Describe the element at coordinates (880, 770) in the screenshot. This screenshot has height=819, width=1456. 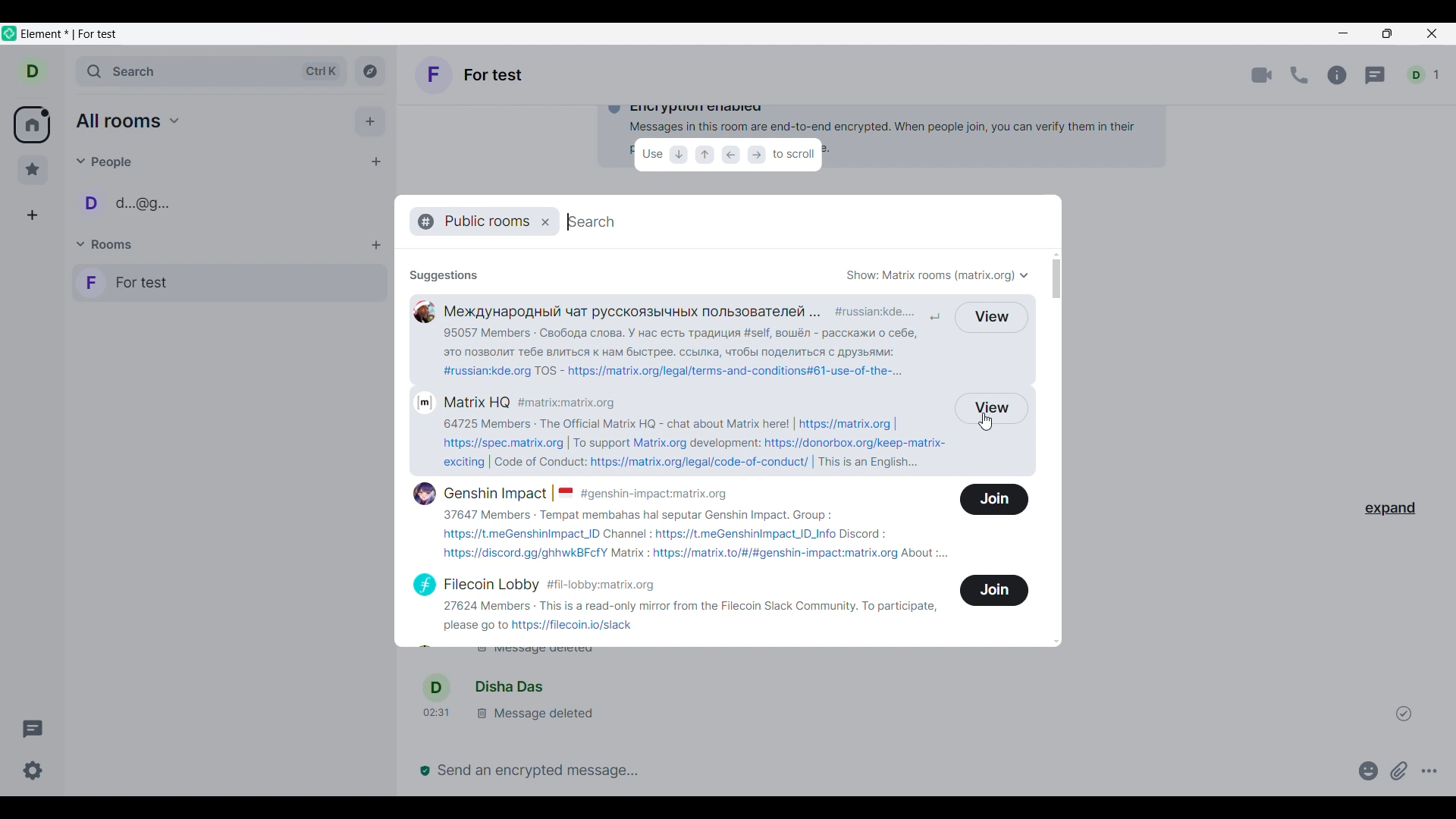
I see `send an encrypted message...` at that location.